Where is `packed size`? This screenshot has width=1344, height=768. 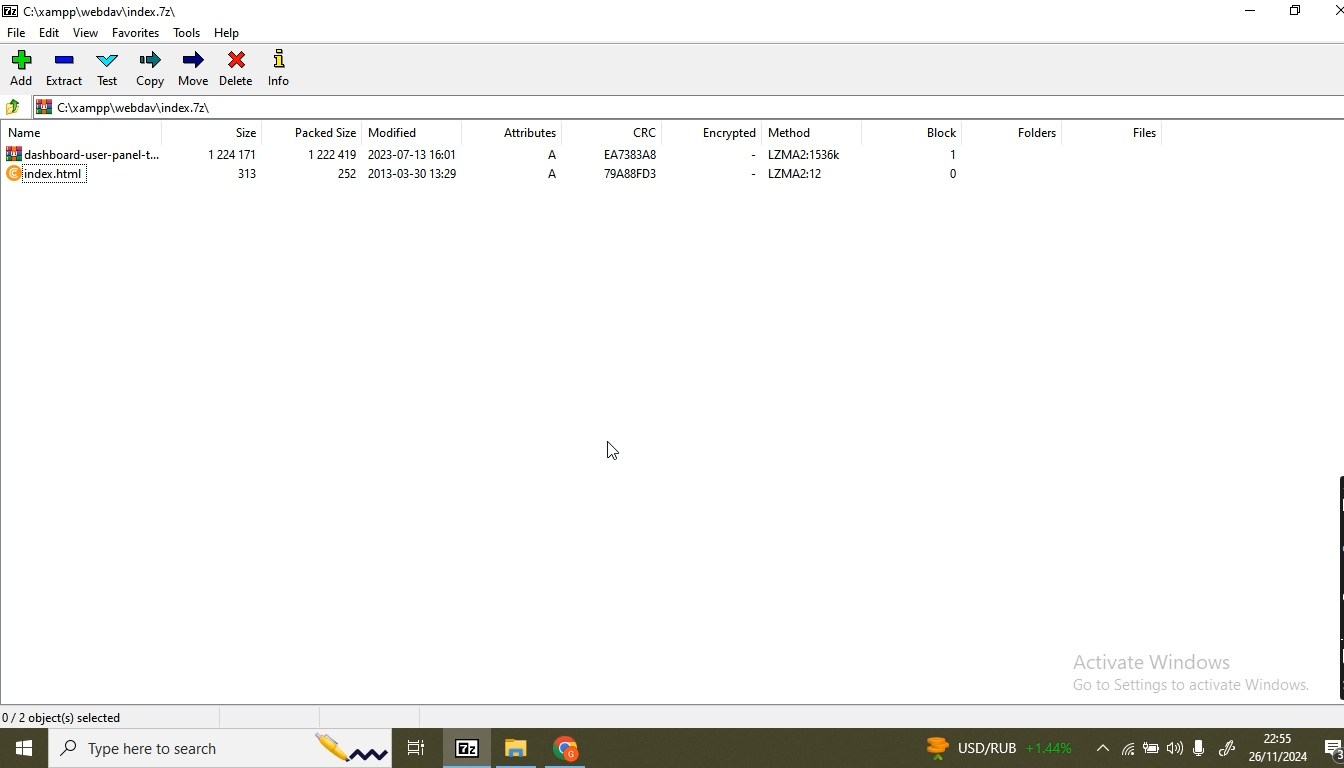
packed size is located at coordinates (320, 132).